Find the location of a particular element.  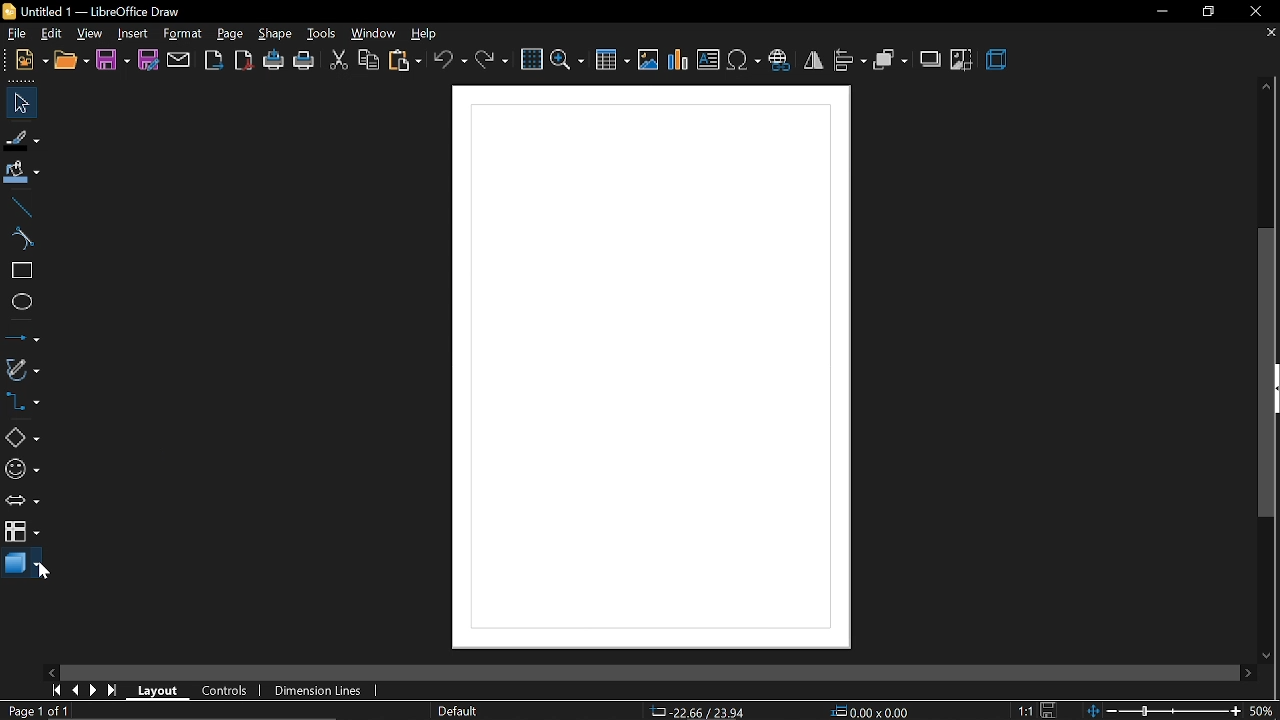

paste is located at coordinates (405, 61).